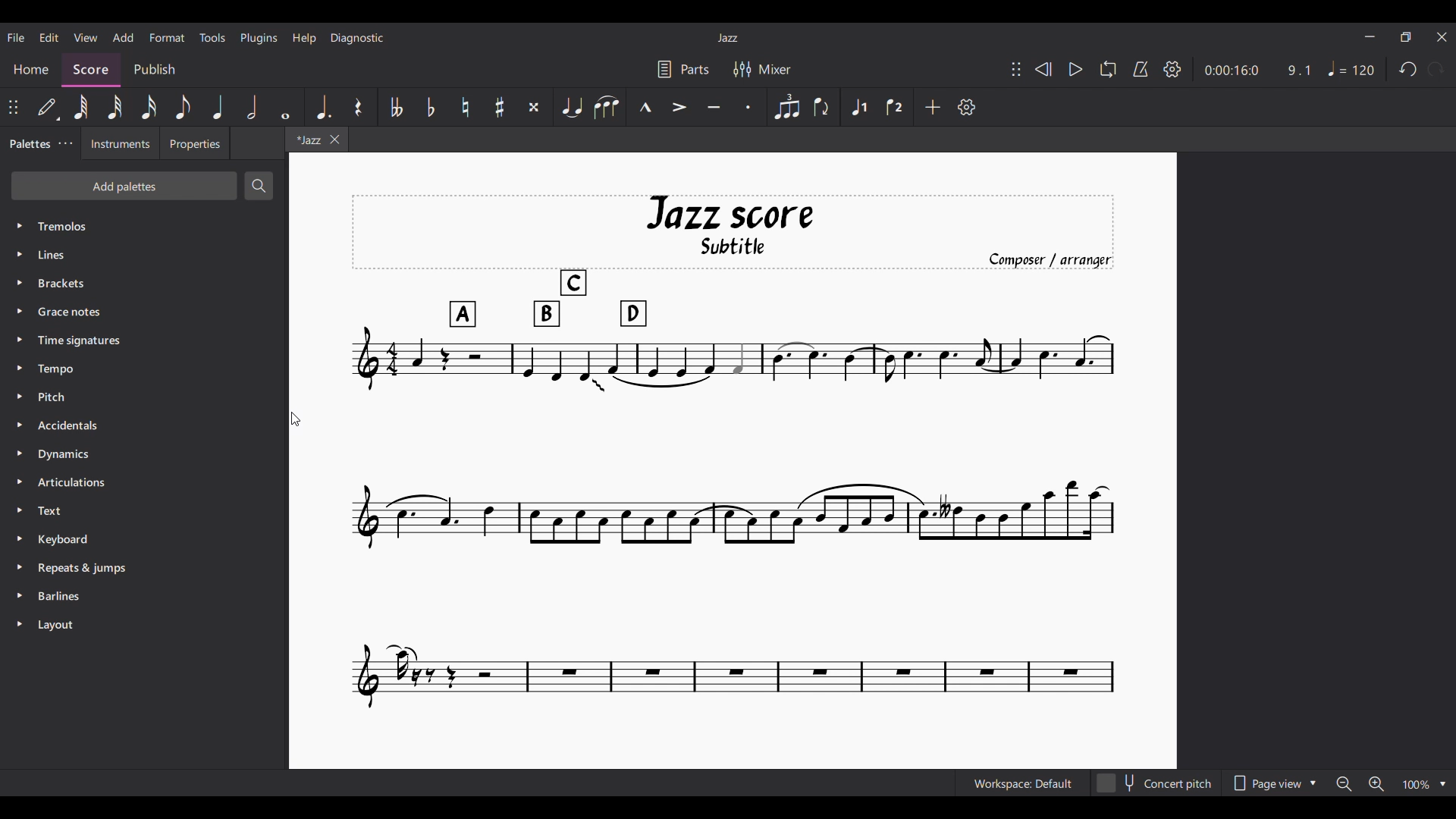 The image size is (1456, 819). What do you see at coordinates (728, 37) in the screenshot?
I see `Jazz` at bounding box center [728, 37].